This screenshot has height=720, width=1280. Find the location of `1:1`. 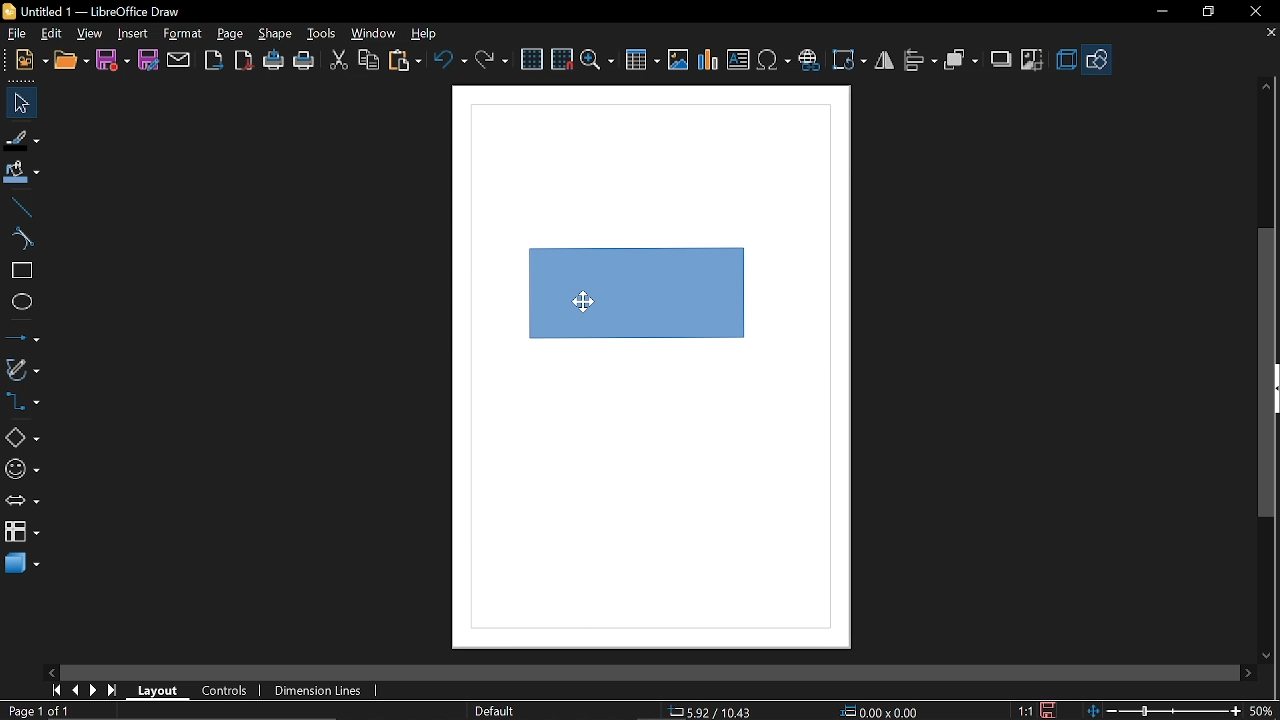

1:1 is located at coordinates (1025, 710).